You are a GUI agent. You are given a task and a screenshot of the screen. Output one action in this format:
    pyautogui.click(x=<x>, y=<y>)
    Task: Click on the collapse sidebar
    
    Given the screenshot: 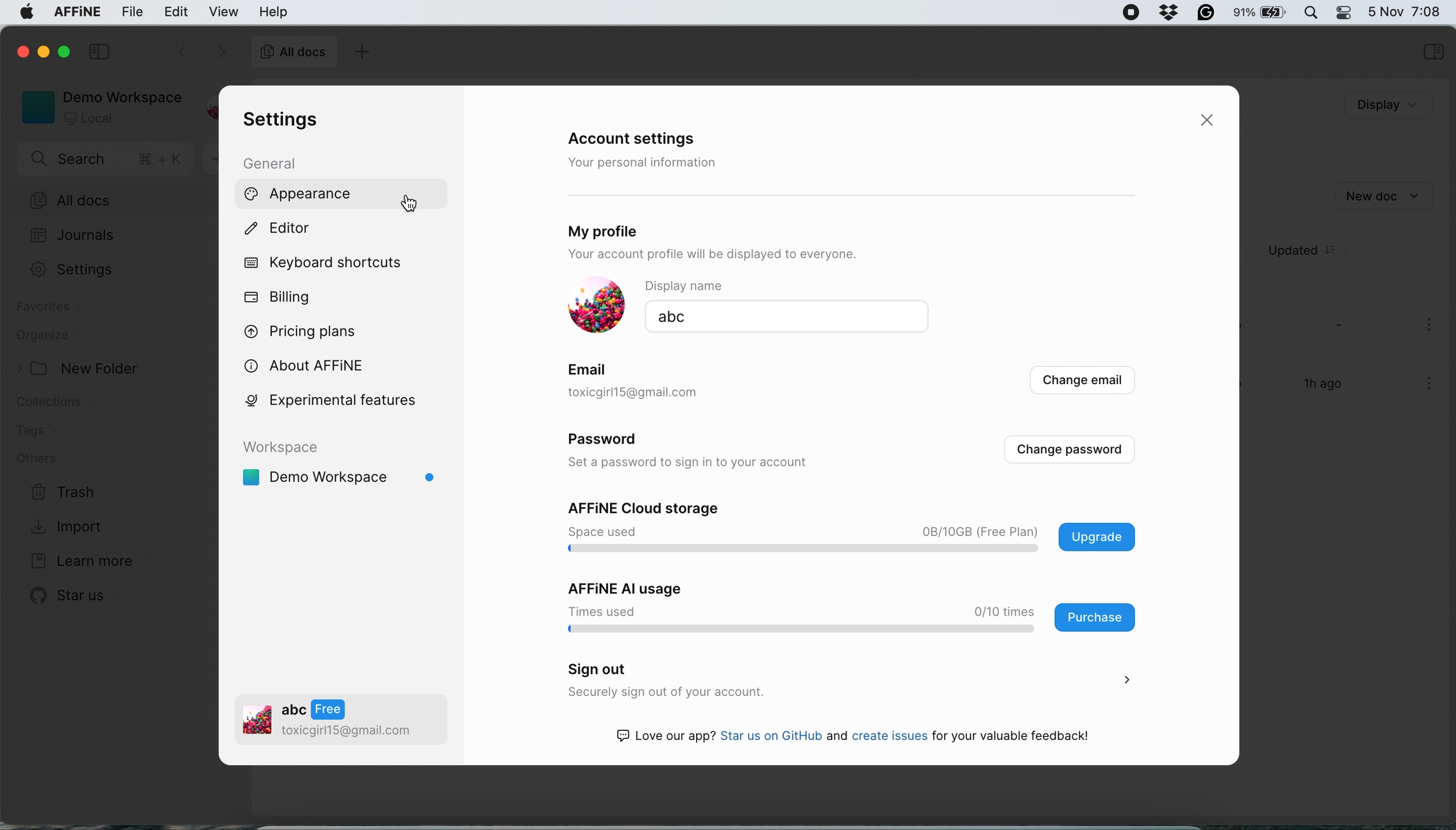 What is the action you would take?
    pyautogui.click(x=99, y=50)
    